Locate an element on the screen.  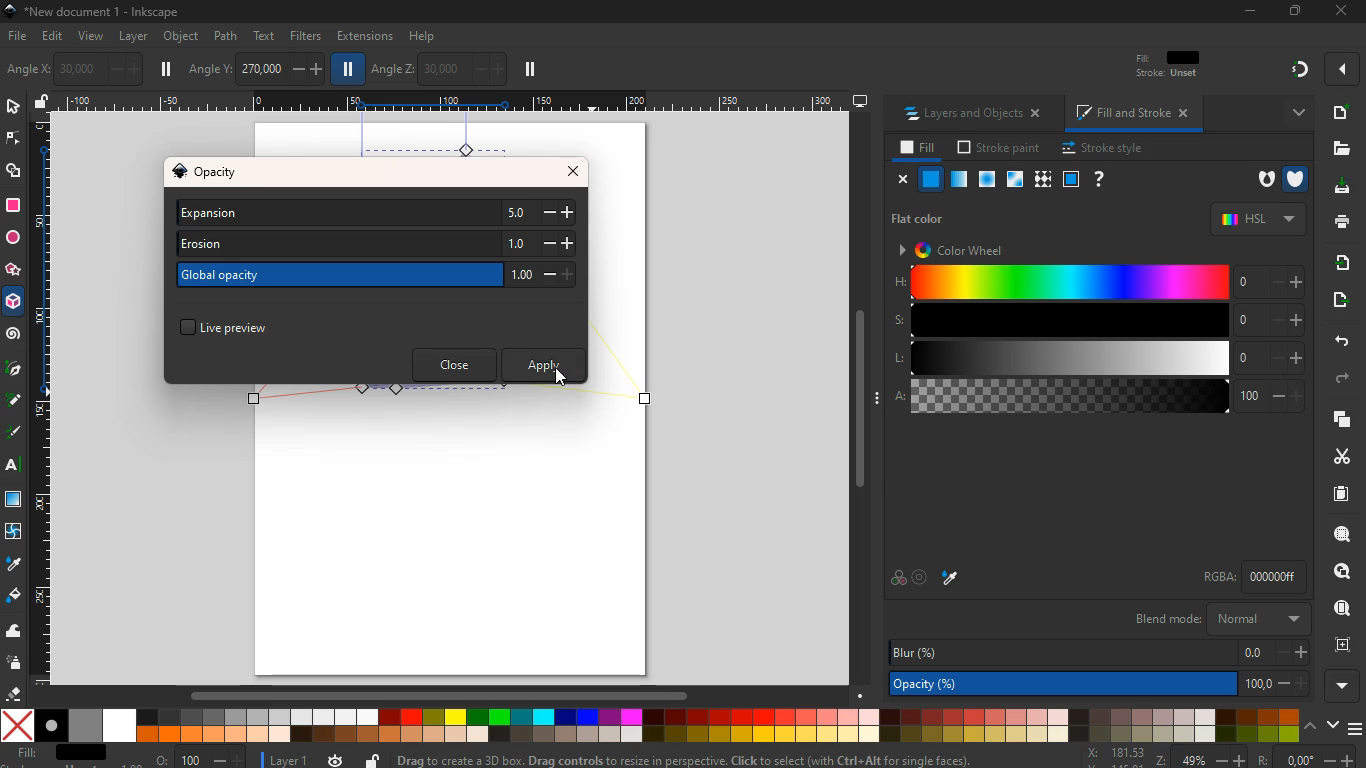
gradient is located at coordinates (1301, 70).